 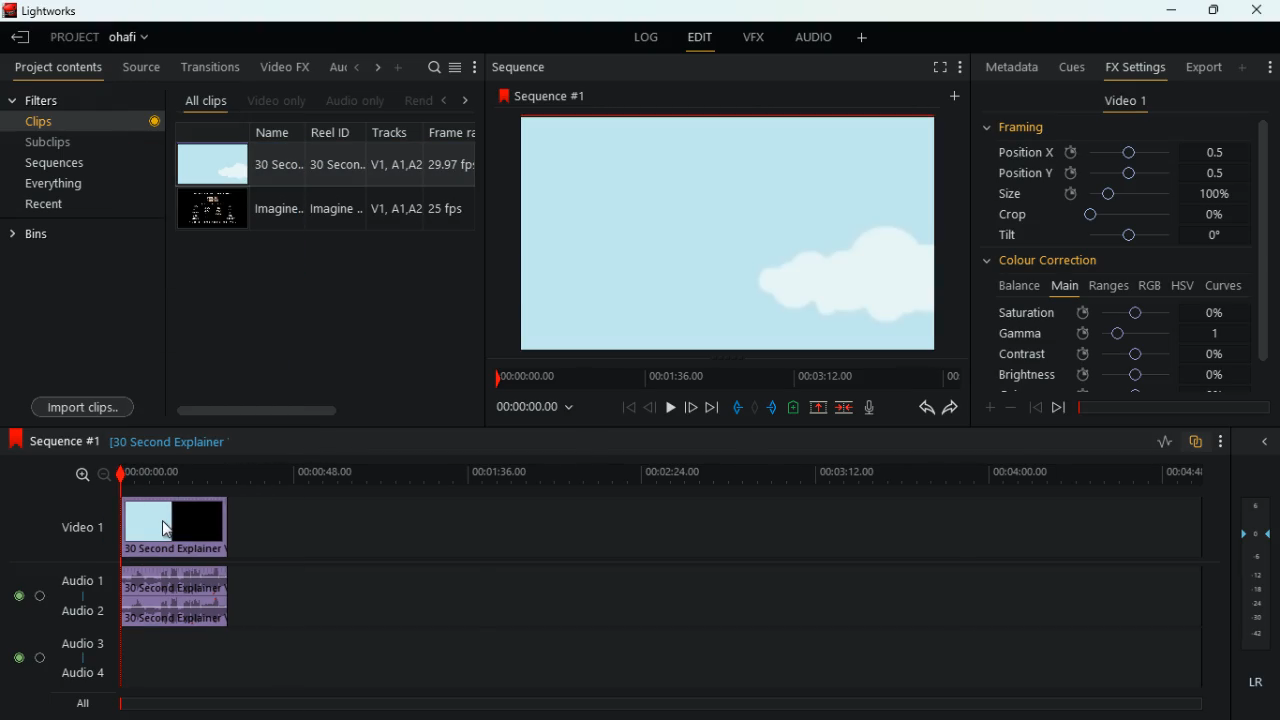 What do you see at coordinates (751, 37) in the screenshot?
I see `vfx` at bounding box center [751, 37].